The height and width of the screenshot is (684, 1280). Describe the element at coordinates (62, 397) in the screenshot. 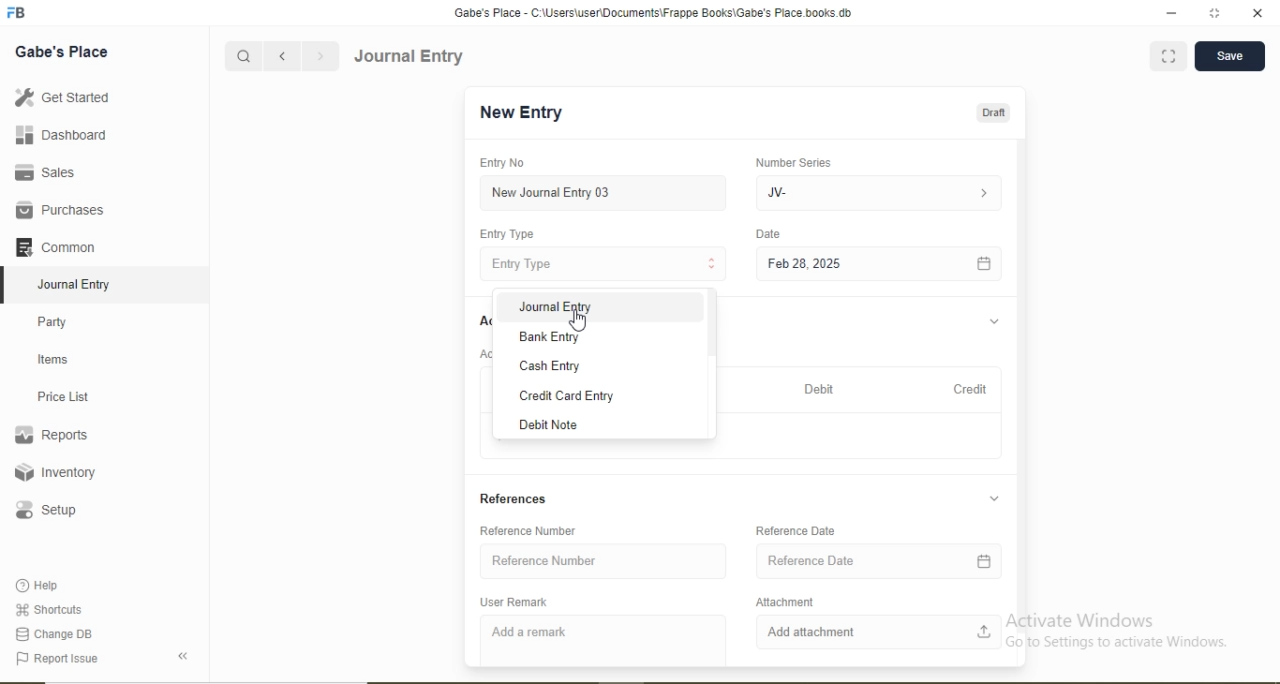

I see `Price List` at that location.